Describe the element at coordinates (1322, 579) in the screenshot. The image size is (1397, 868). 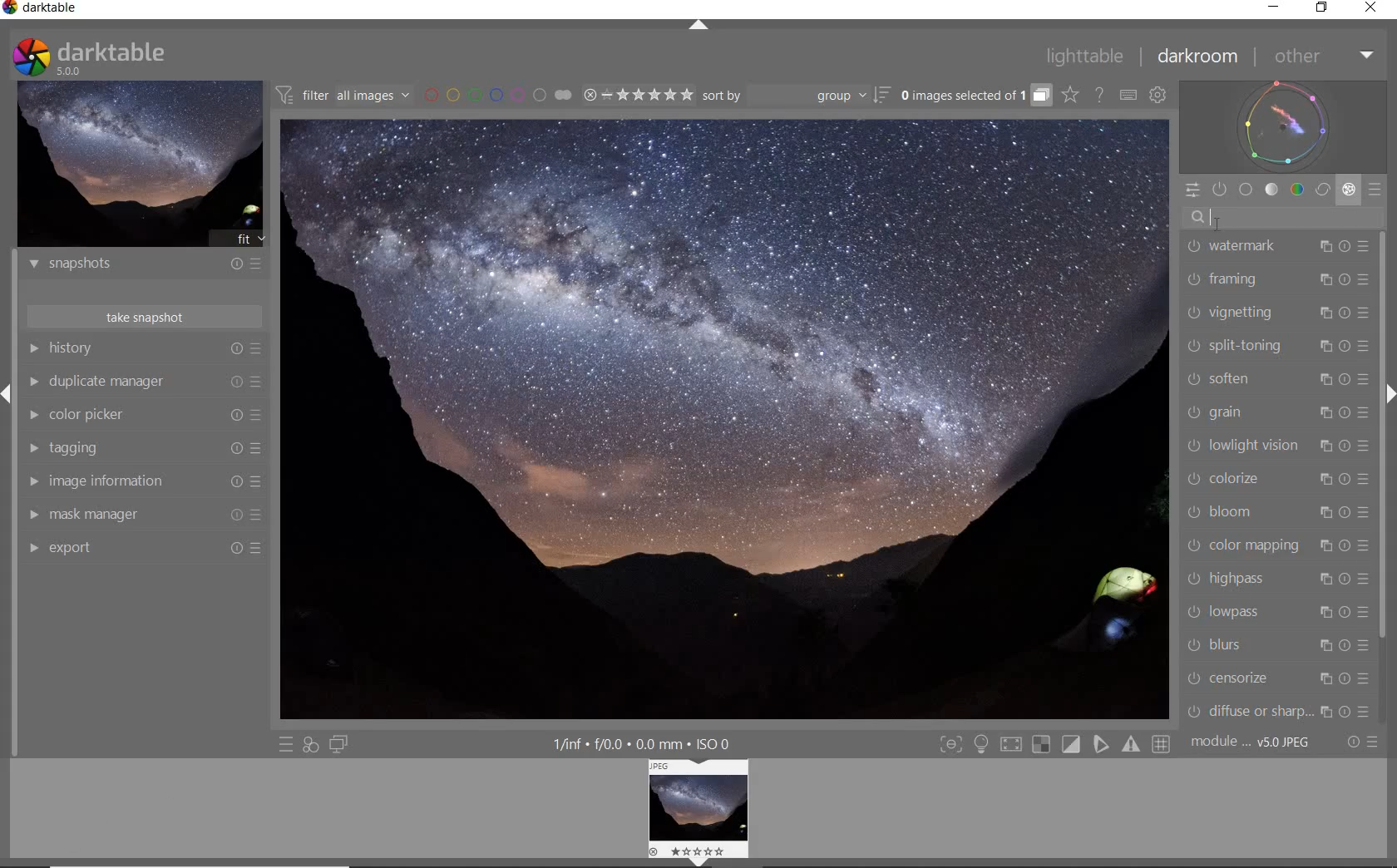
I see `multiple instance actions` at that location.